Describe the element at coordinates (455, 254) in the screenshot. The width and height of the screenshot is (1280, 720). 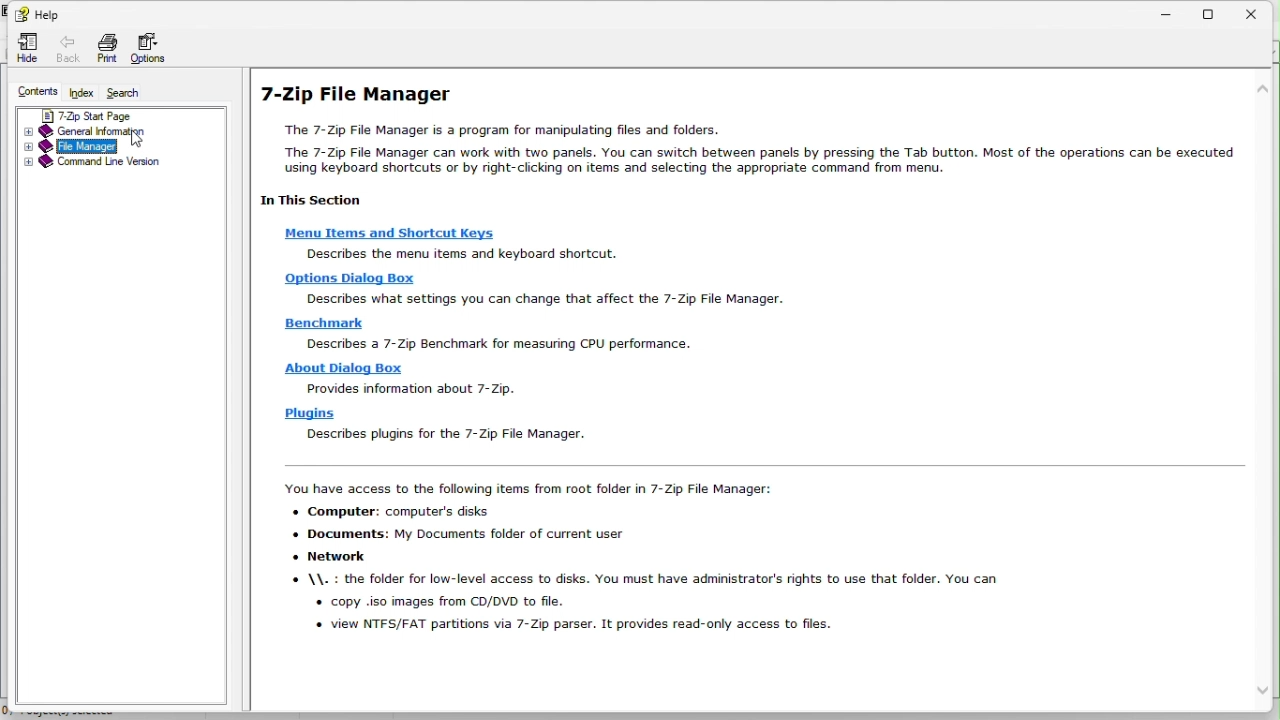
I see `describe the Menu items and shortcut keys` at that location.